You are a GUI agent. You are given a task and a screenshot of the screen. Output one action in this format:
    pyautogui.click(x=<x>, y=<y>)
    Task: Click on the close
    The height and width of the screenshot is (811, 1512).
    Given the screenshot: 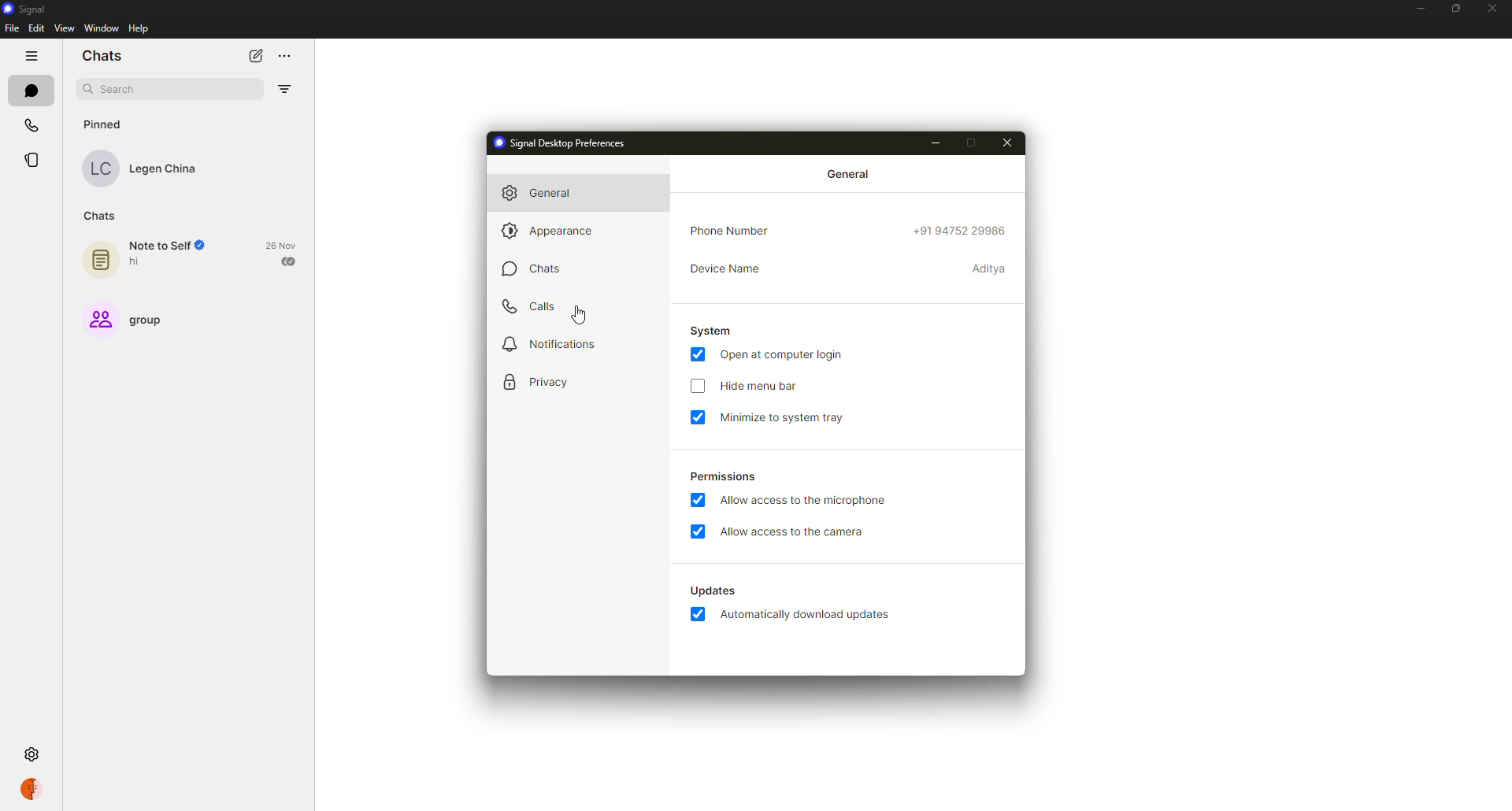 What is the action you would take?
    pyautogui.click(x=1008, y=143)
    